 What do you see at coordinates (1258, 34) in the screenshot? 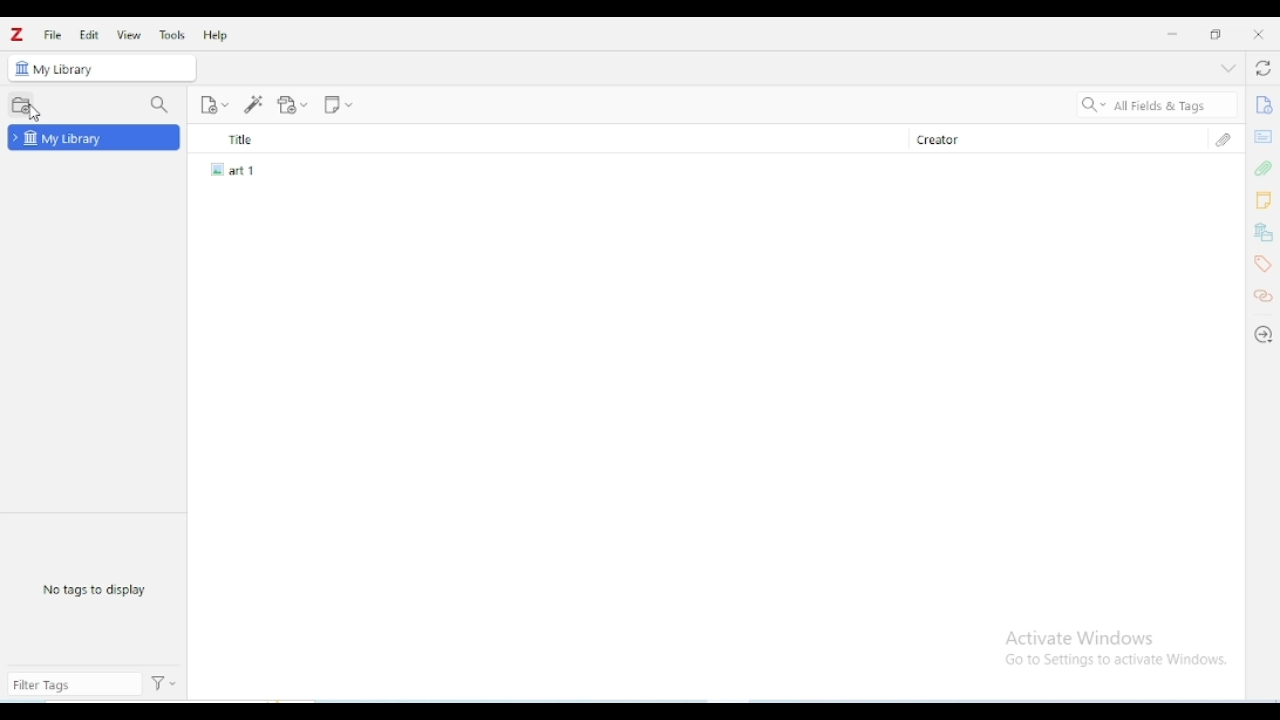
I see `close` at bounding box center [1258, 34].